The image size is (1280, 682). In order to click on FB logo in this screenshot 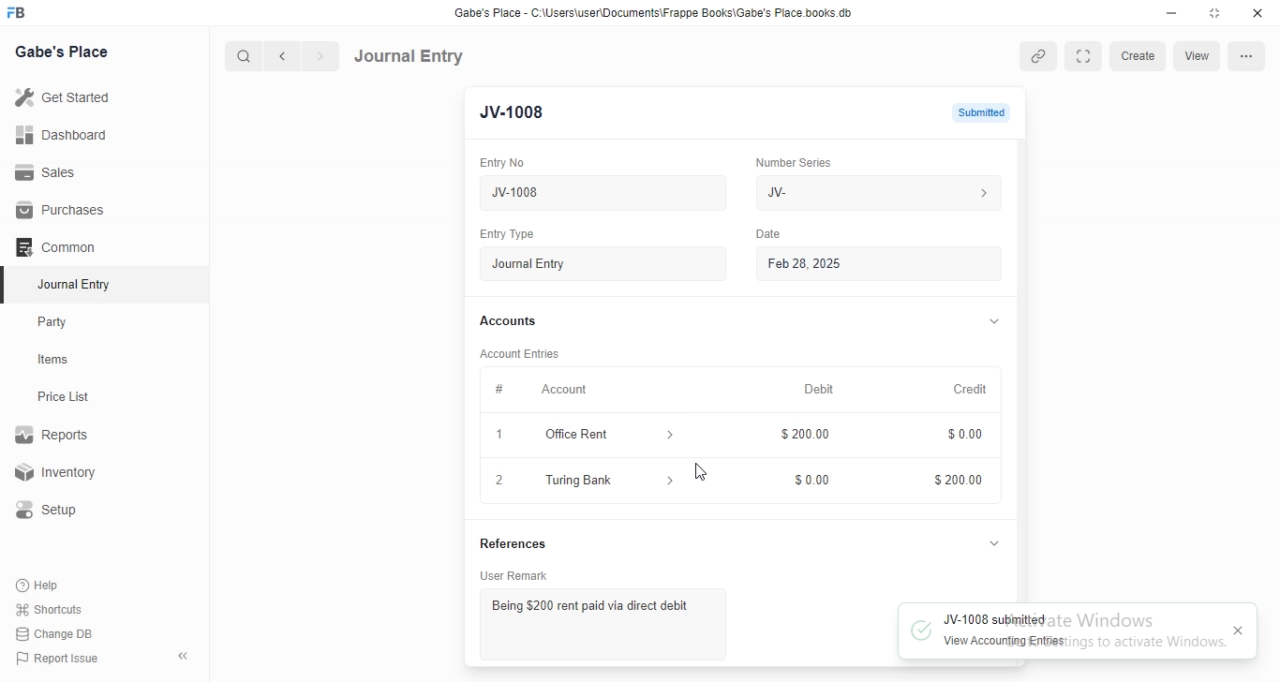, I will do `click(18, 13)`.